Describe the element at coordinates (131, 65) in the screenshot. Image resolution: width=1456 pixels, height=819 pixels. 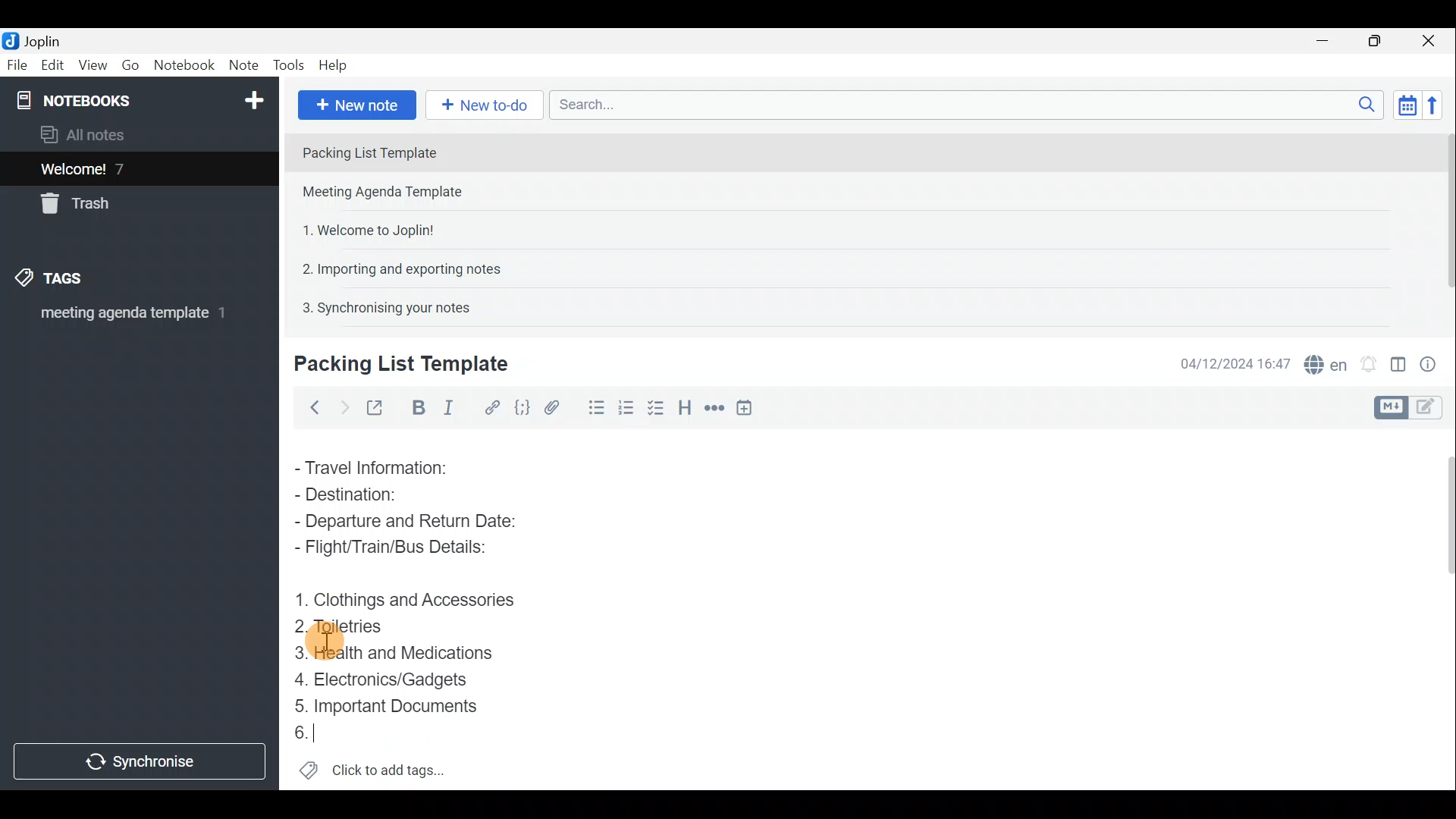
I see `Go` at that location.